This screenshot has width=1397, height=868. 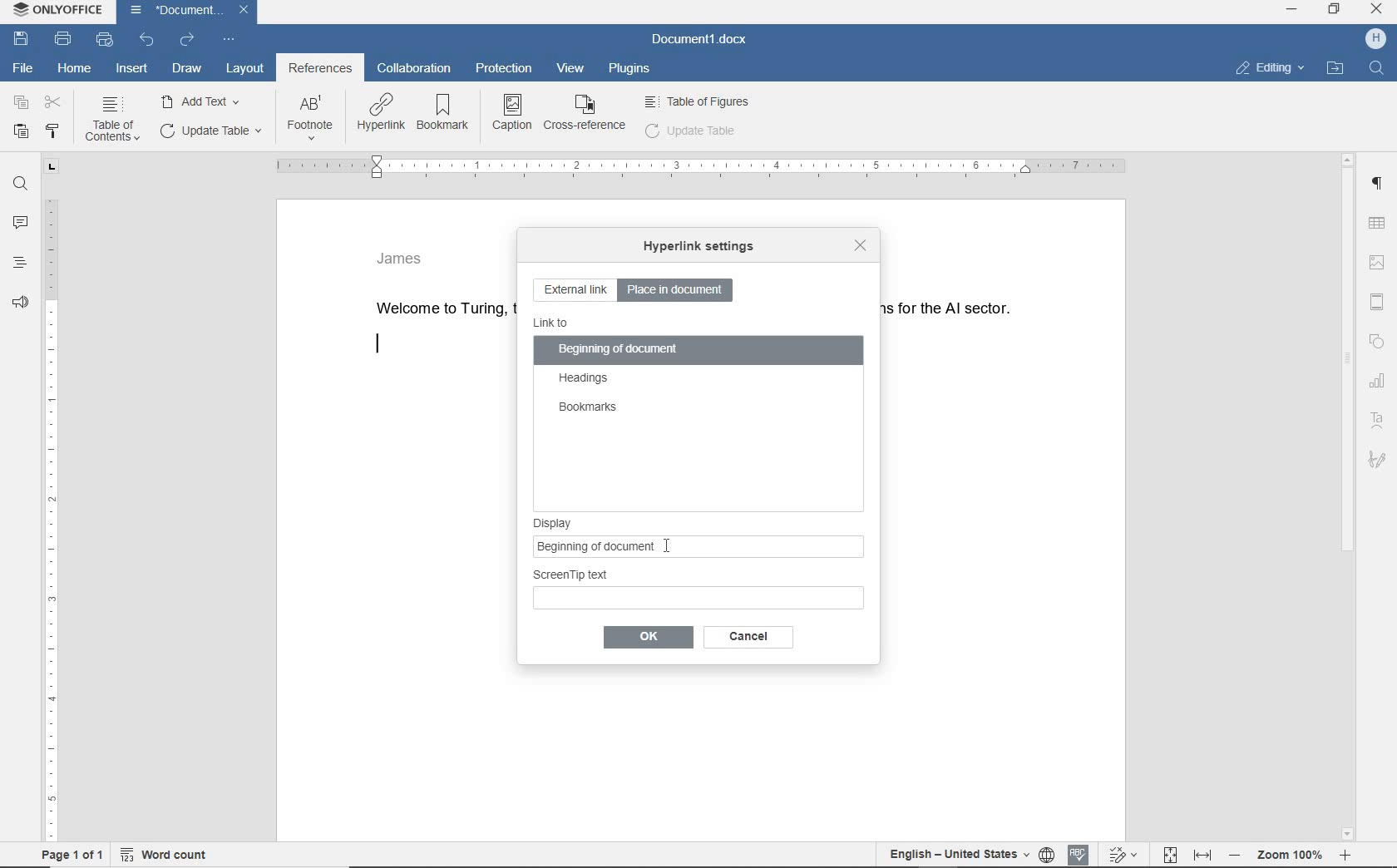 What do you see at coordinates (19, 267) in the screenshot?
I see `headings` at bounding box center [19, 267].